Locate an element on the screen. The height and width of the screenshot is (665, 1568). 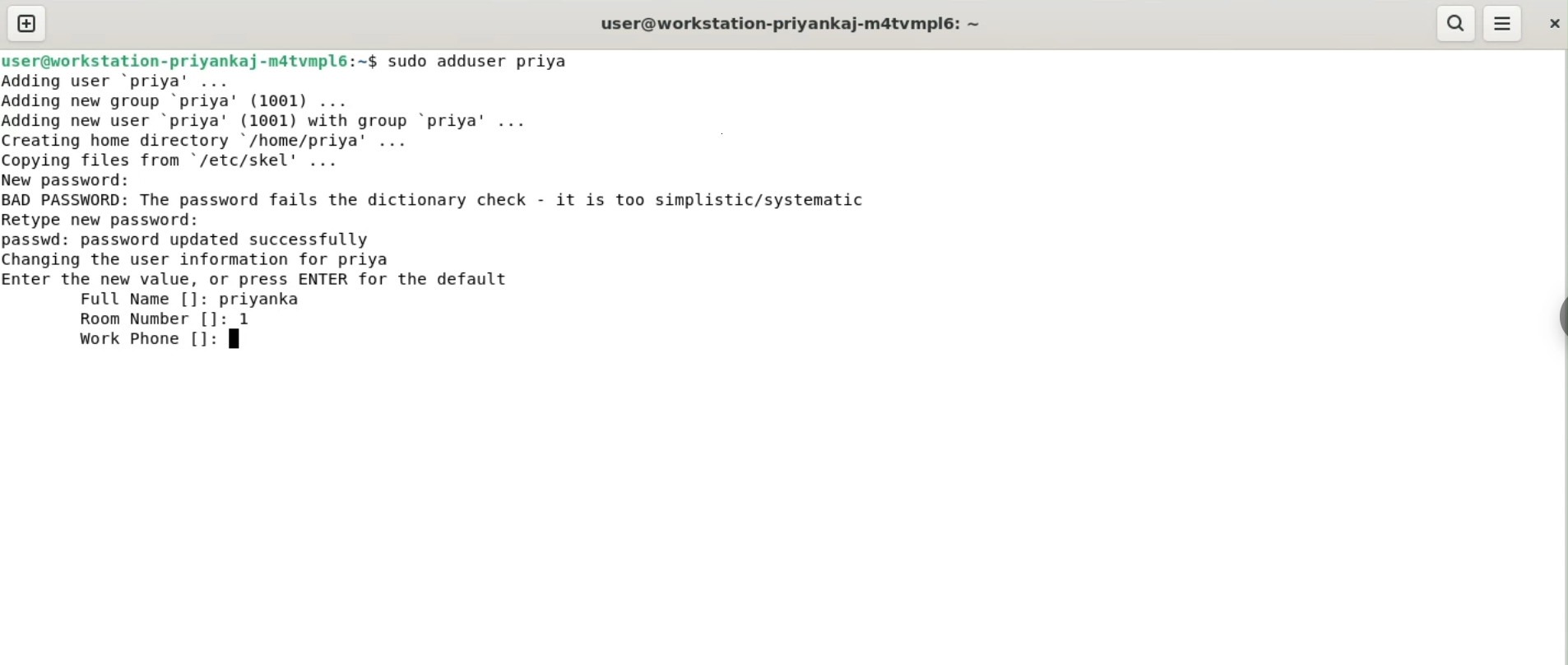
new tab is located at coordinates (26, 23).